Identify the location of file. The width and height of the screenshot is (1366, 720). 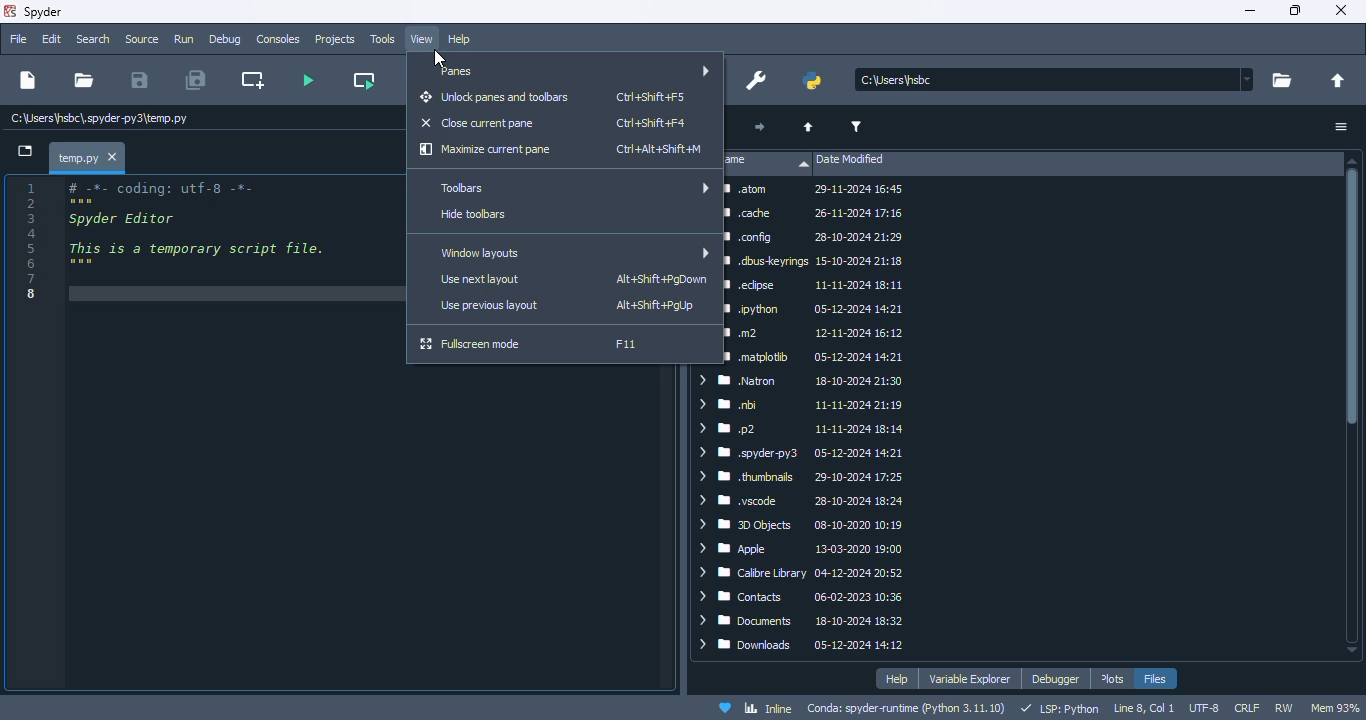
(16, 38).